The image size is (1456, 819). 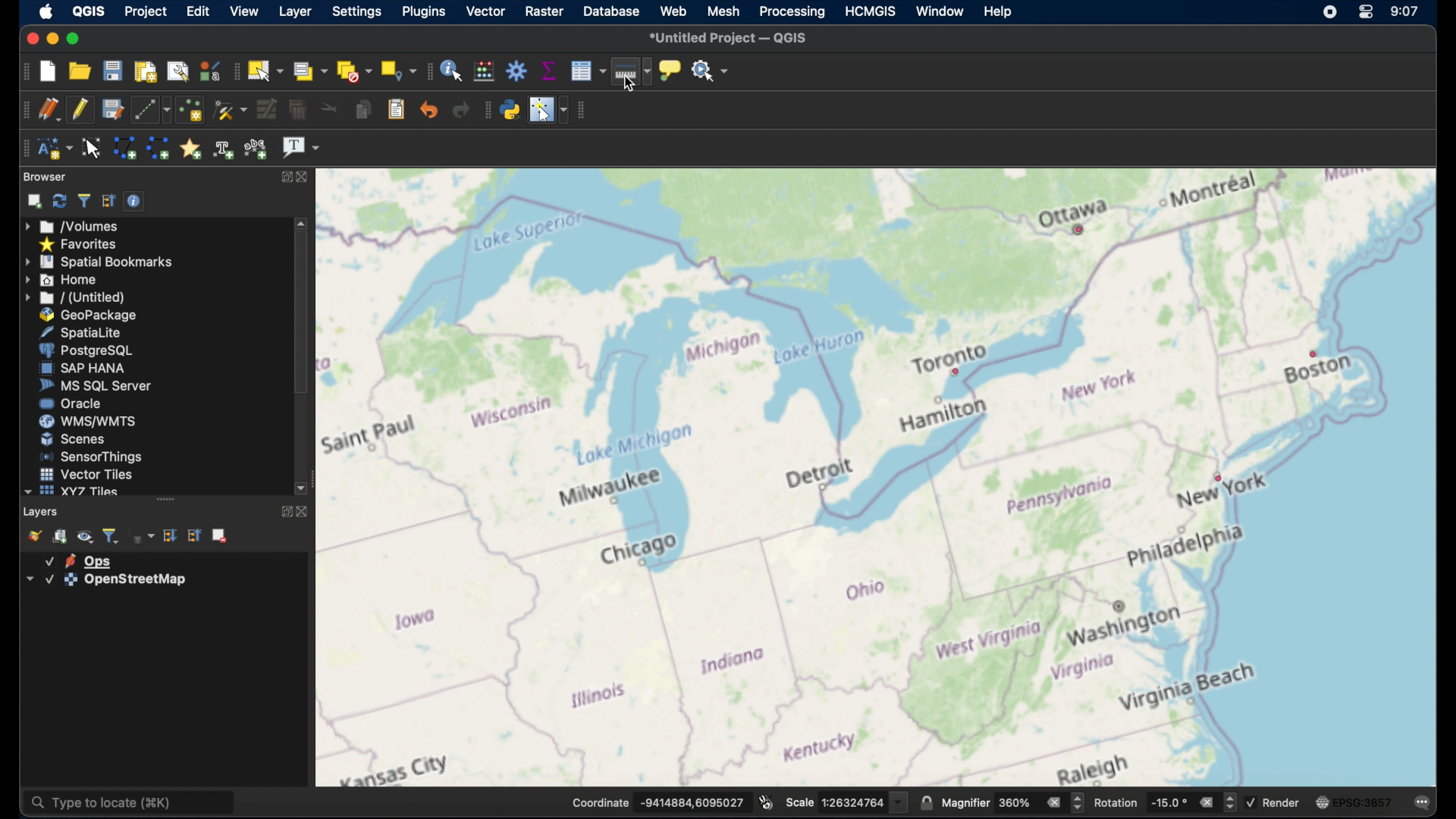 I want to click on collapse all, so click(x=194, y=535).